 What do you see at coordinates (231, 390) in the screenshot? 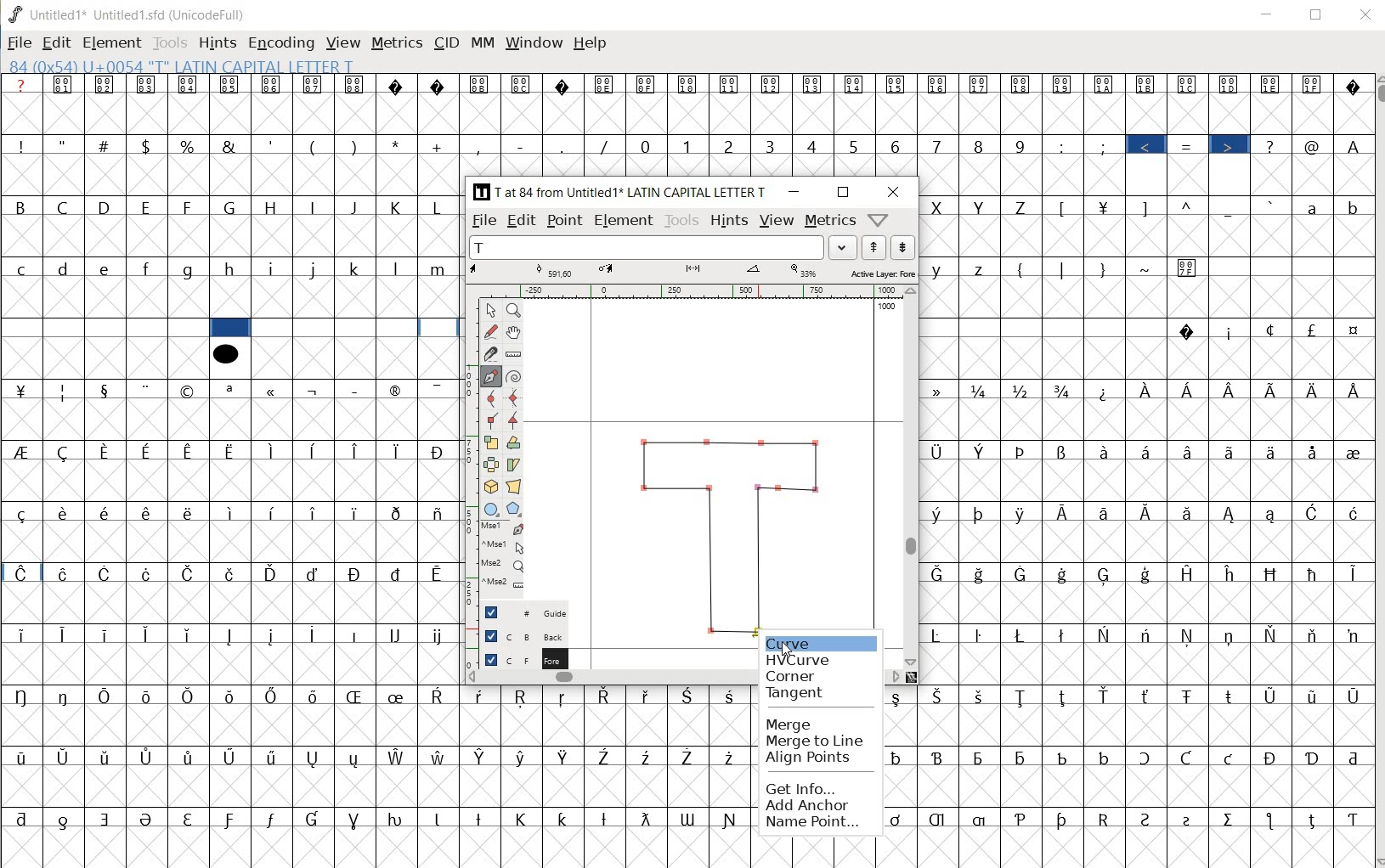
I see `Symbol` at bounding box center [231, 390].